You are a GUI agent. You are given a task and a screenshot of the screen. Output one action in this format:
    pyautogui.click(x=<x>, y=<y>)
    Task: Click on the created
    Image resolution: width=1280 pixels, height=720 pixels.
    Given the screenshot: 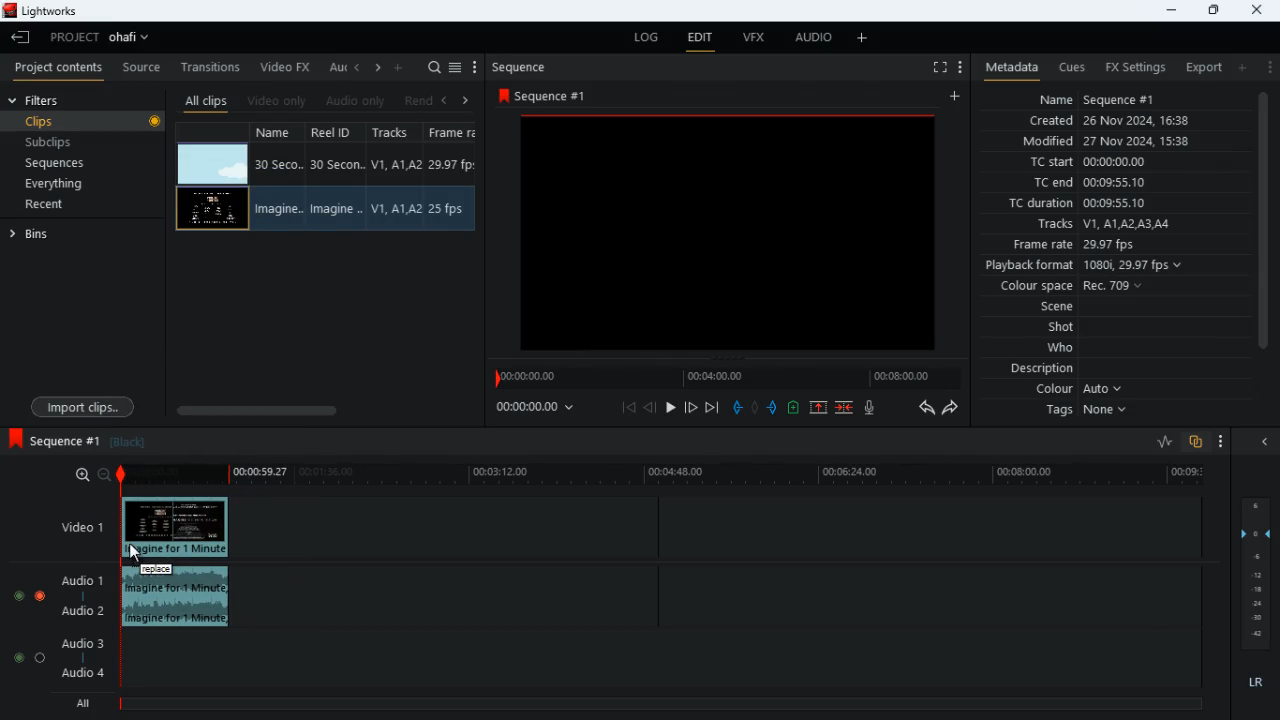 What is the action you would take?
    pyautogui.click(x=1106, y=121)
    